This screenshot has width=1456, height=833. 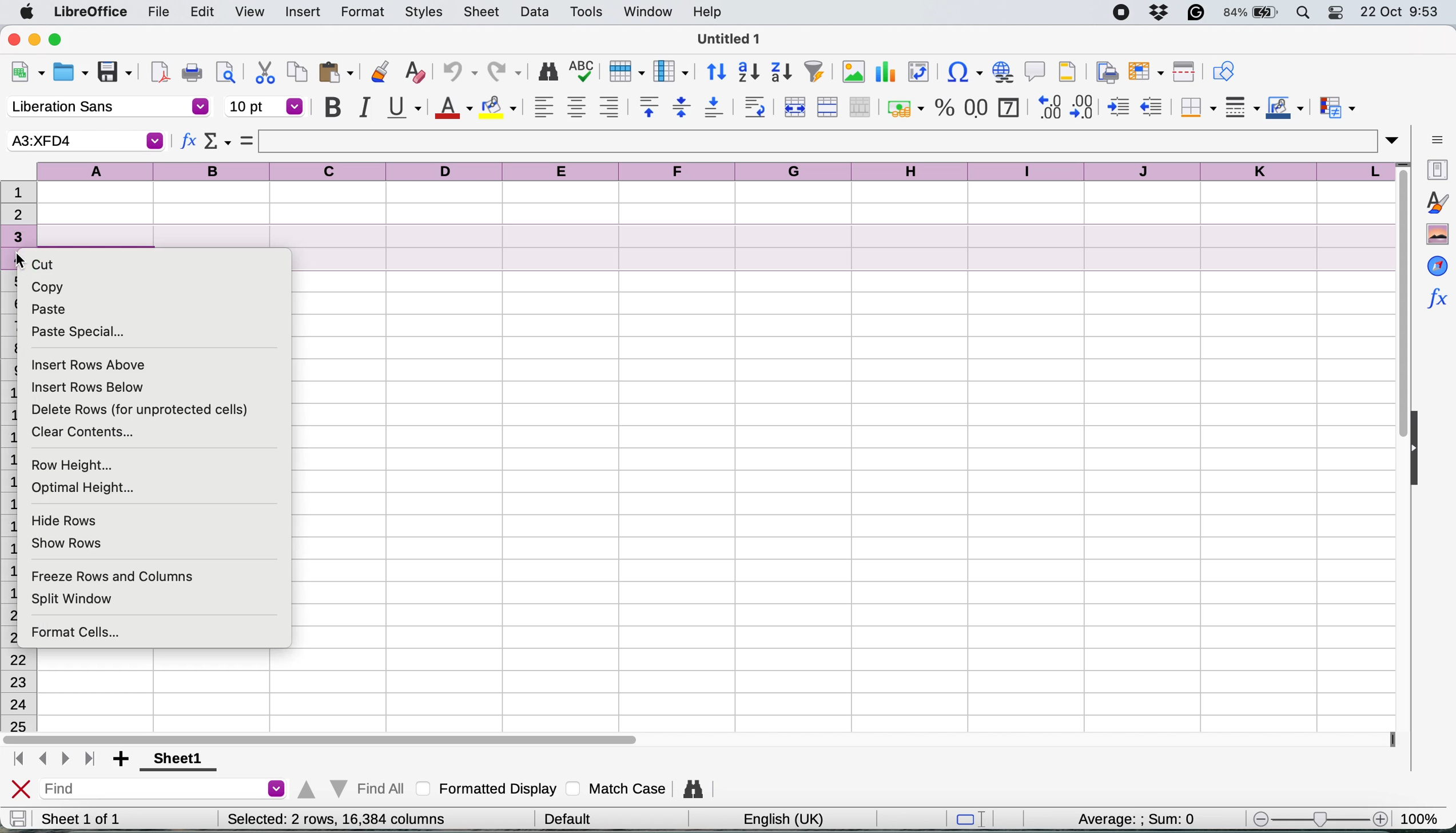 I want to click on split window, so click(x=1181, y=72).